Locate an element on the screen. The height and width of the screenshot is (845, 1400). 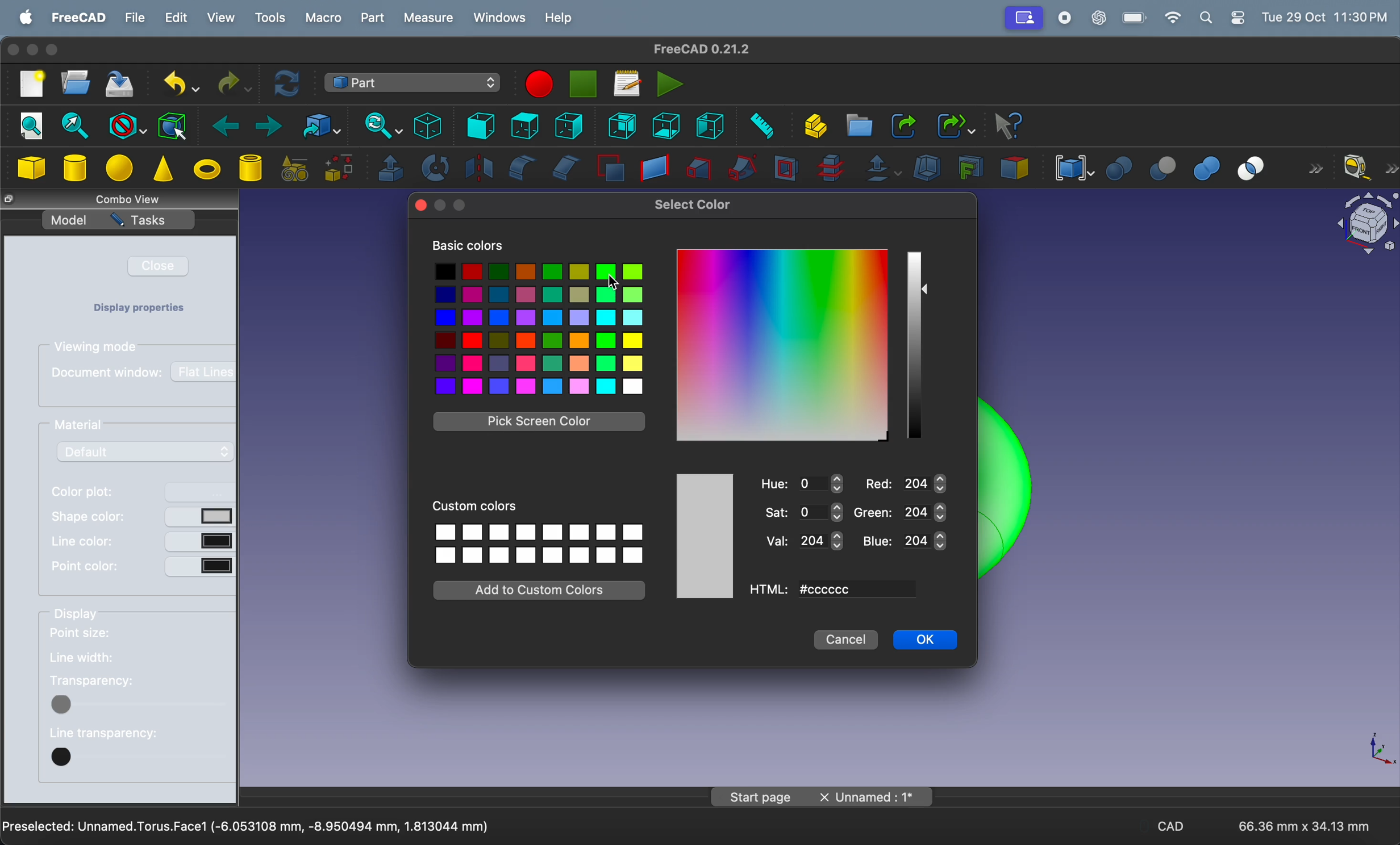
measure distance is located at coordinates (758, 126).